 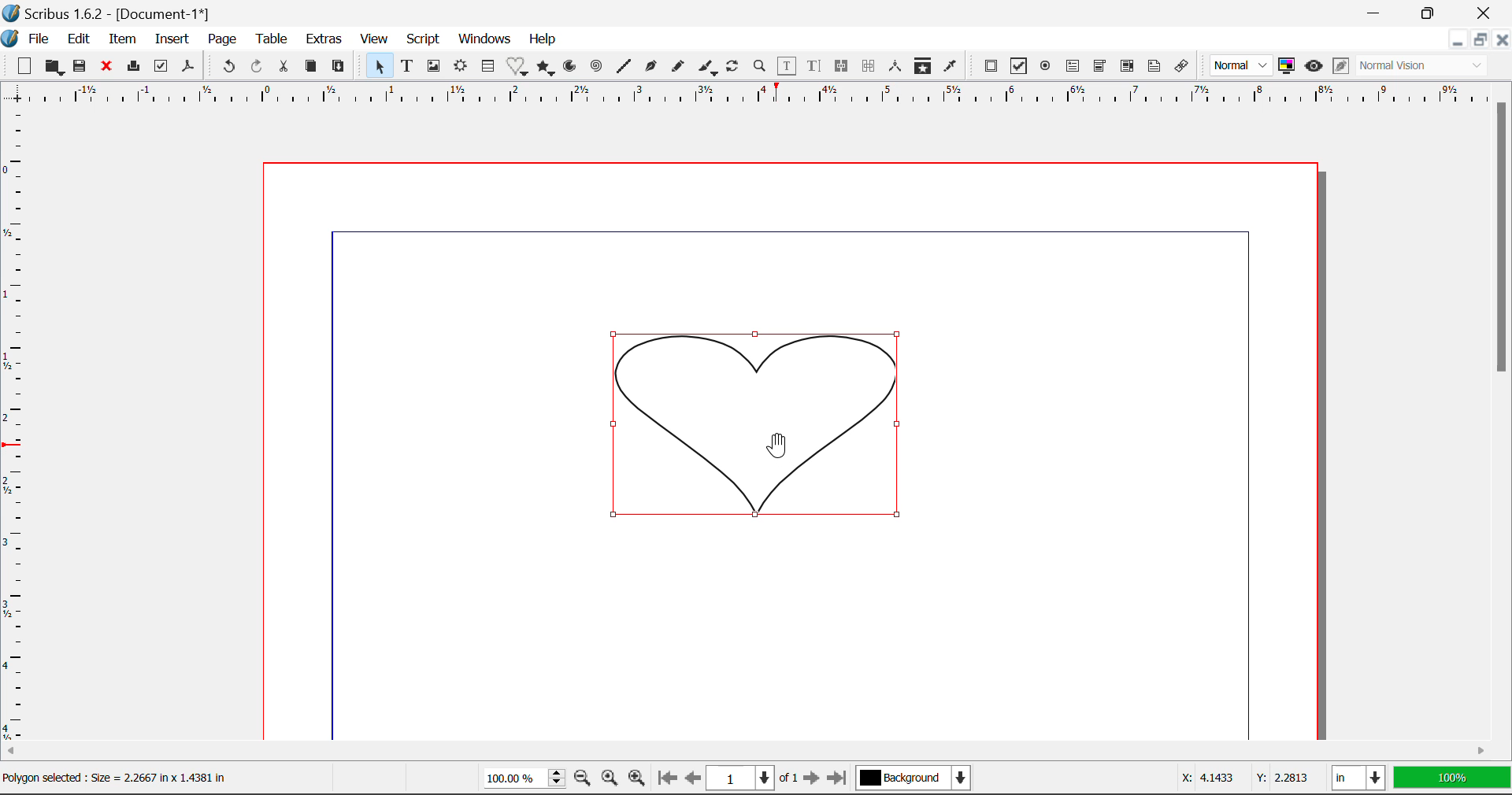 What do you see at coordinates (487, 68) in the screenshot?
I see `Insert Cells` at bounding box center [487, 68].